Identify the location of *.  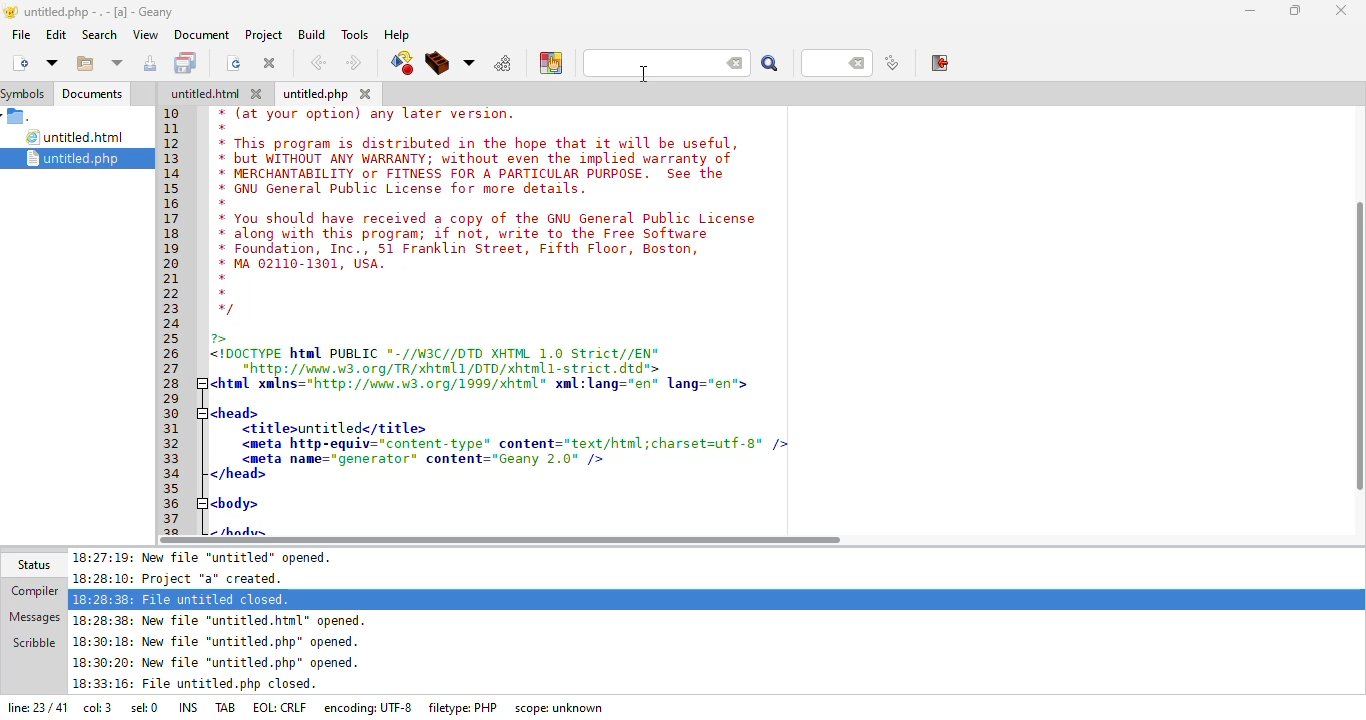
(224, 203).